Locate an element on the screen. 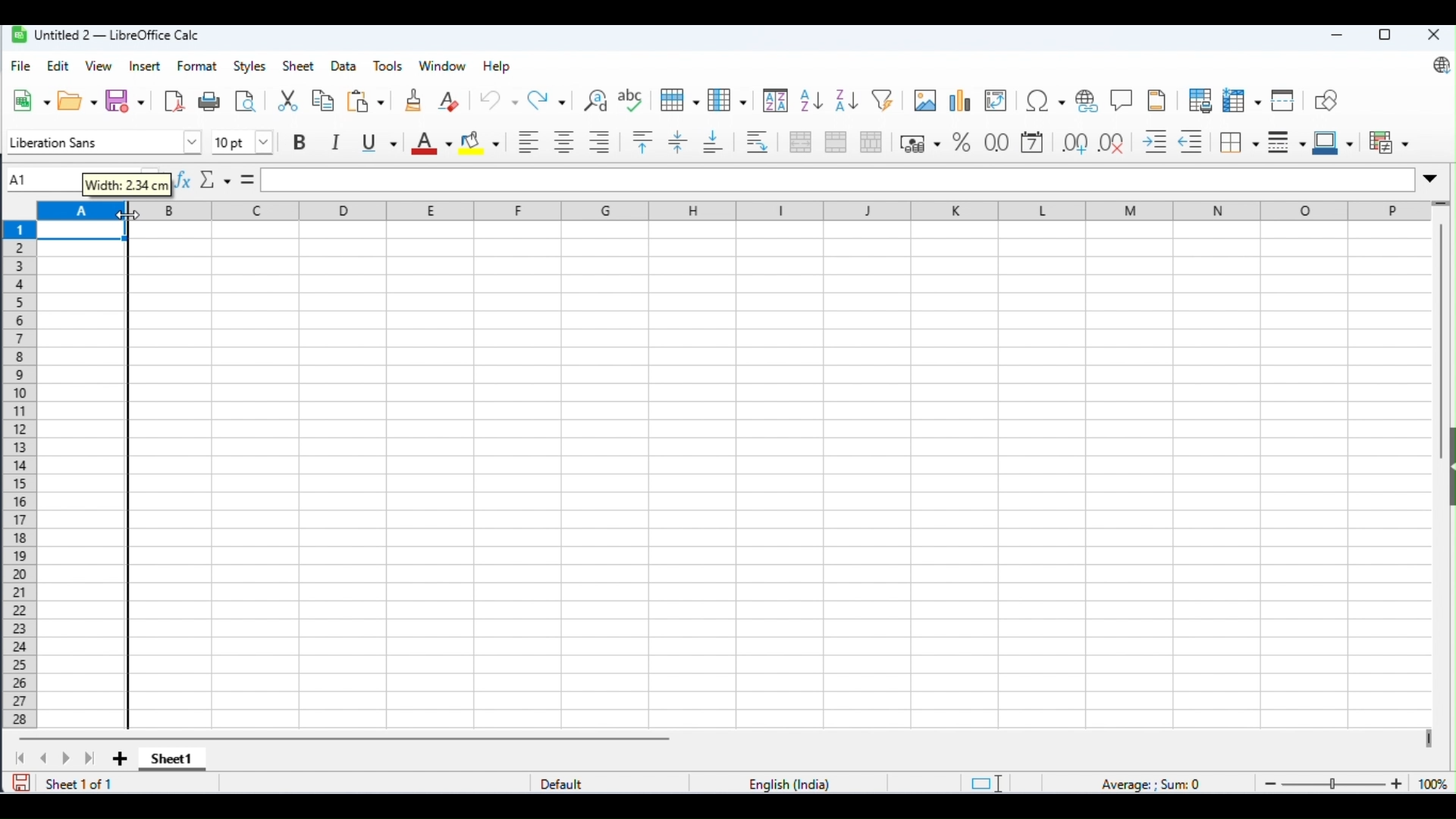  horizontal scroll bar is located at coordinates (350, 739).